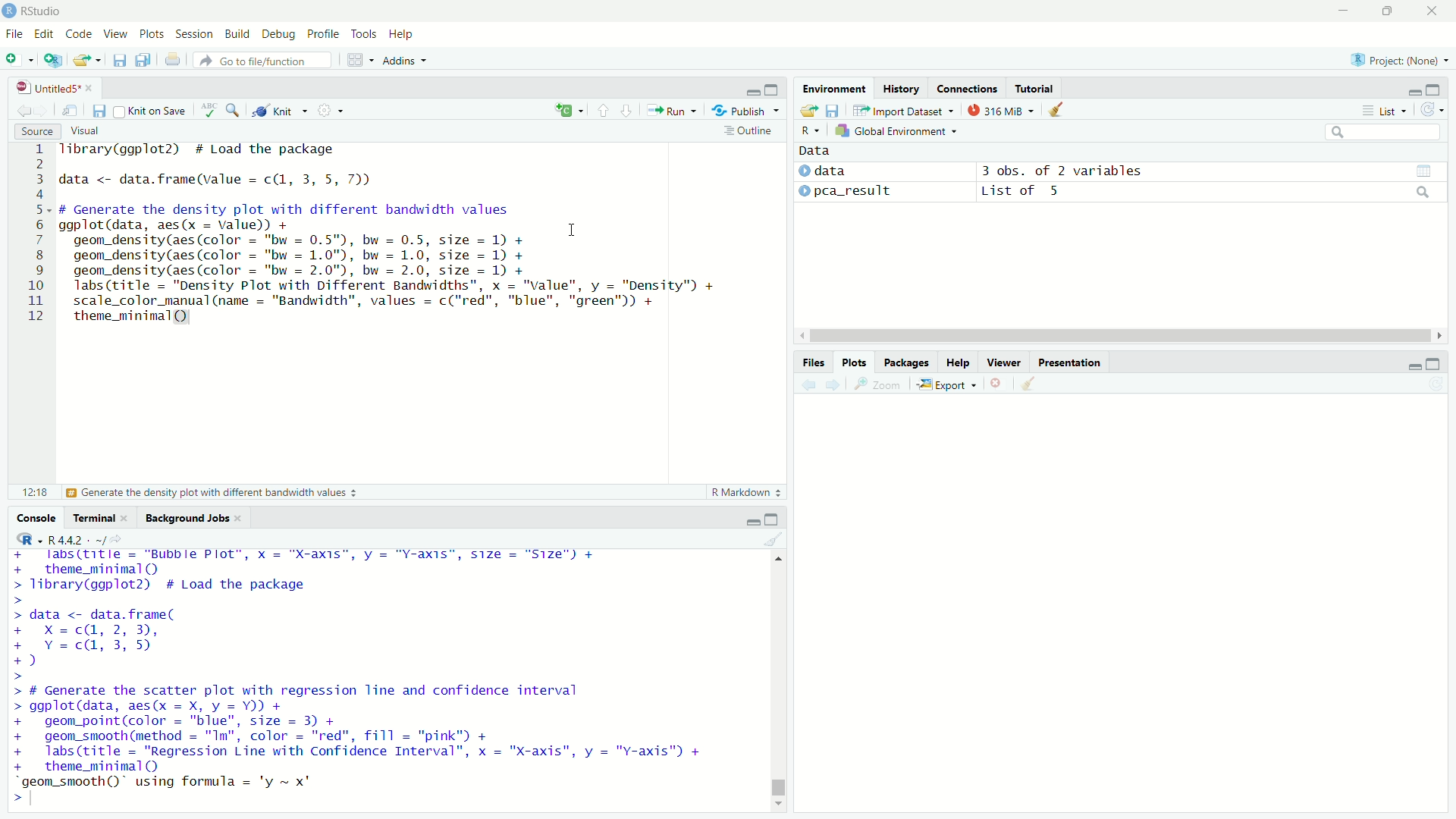  I want to click on horizontal scroll bar, so click(1121, 336).